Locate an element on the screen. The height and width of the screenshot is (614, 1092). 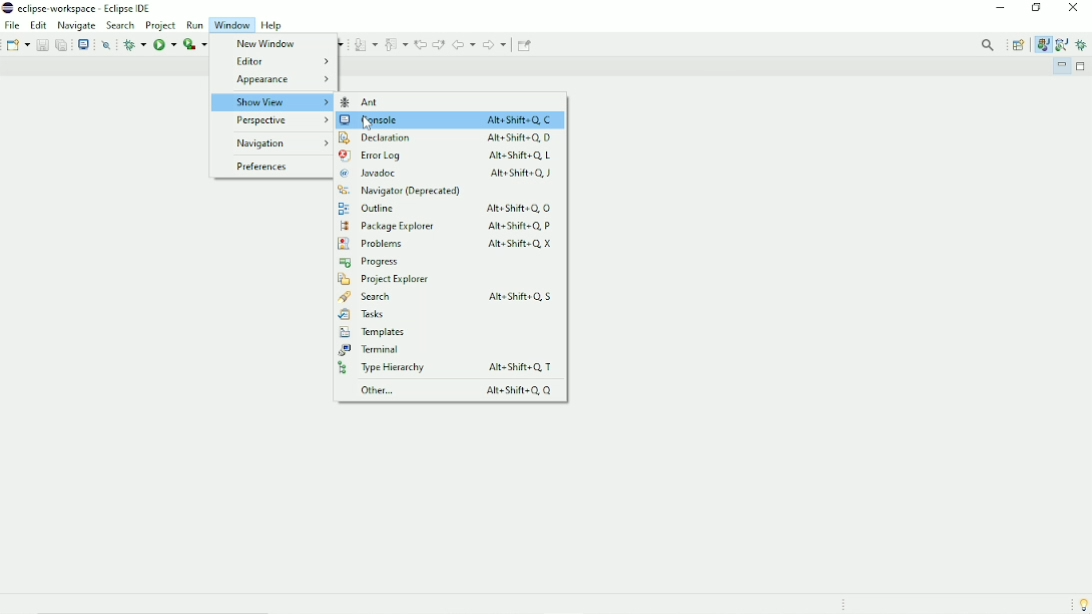
Error Log is located at coordinates (445, 156).